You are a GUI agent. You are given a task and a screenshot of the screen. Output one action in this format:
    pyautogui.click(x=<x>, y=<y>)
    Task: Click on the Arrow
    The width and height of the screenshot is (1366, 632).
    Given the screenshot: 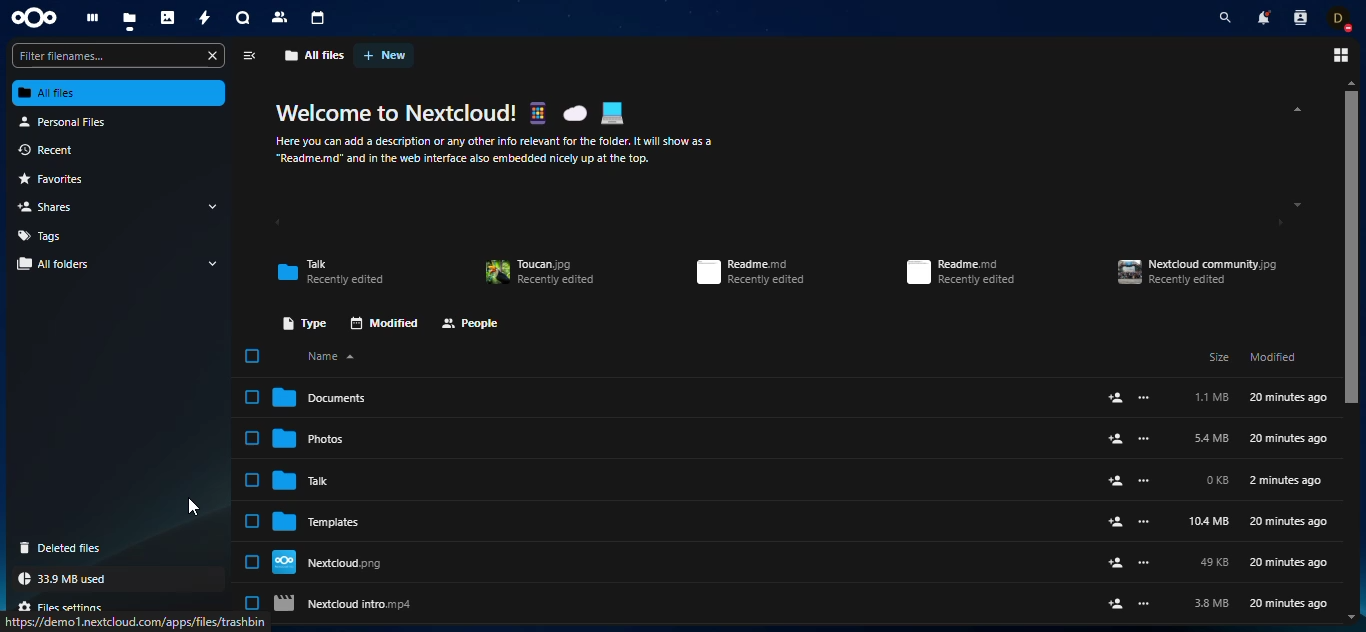 What is the action you would take?
    pyautogui.click(x=207, y=263)
    